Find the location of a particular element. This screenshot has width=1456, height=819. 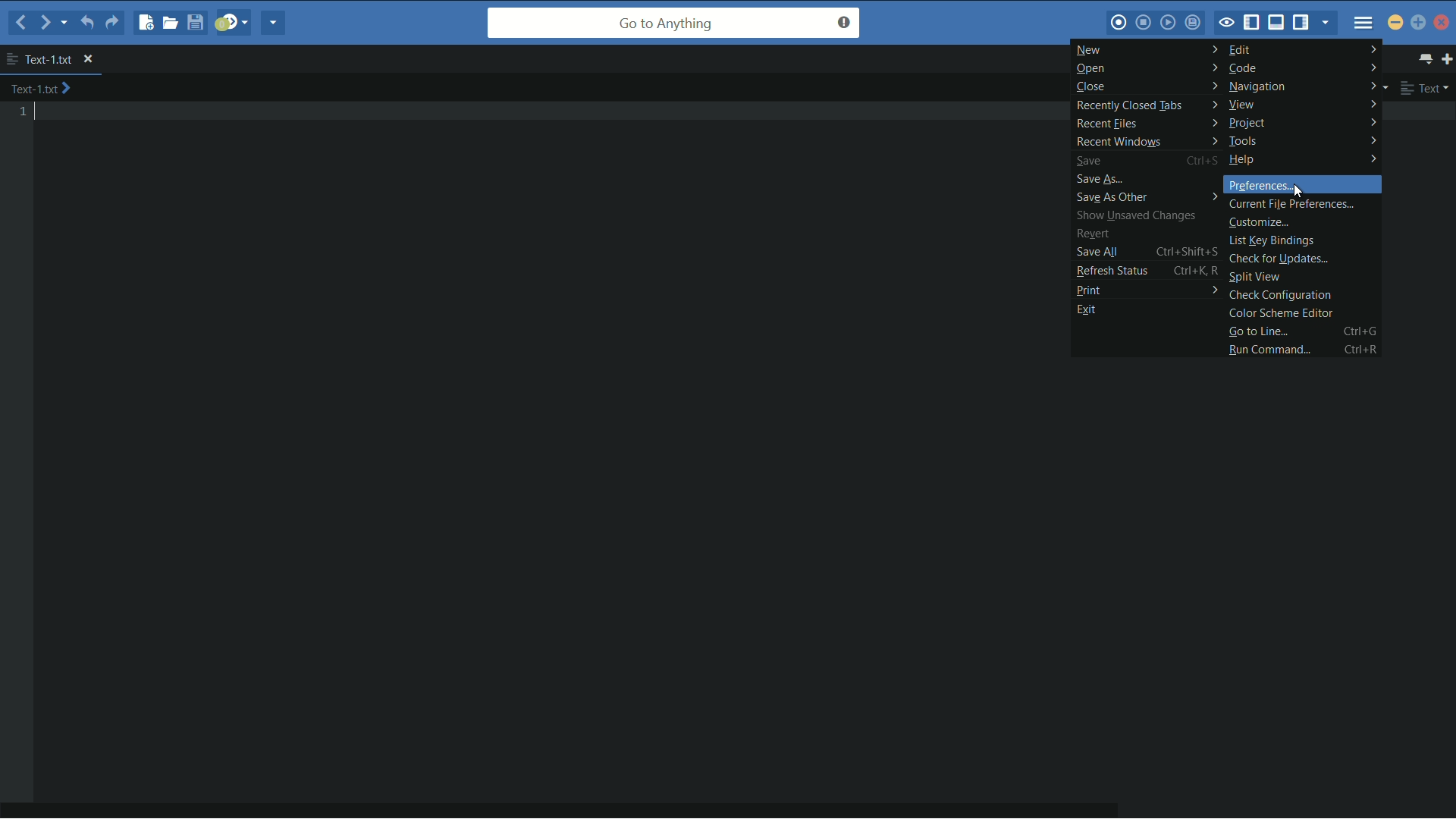

save as is located at coordinates (1099, 178).